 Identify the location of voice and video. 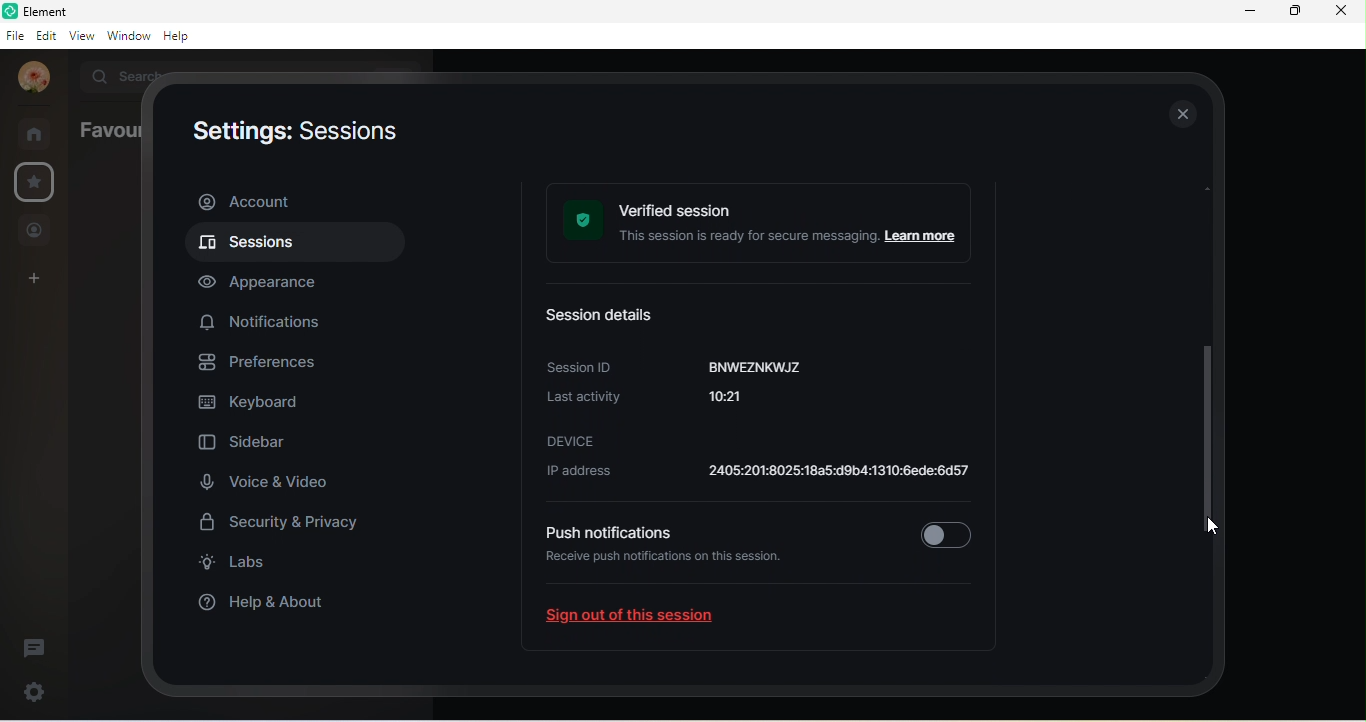
(265, 481).